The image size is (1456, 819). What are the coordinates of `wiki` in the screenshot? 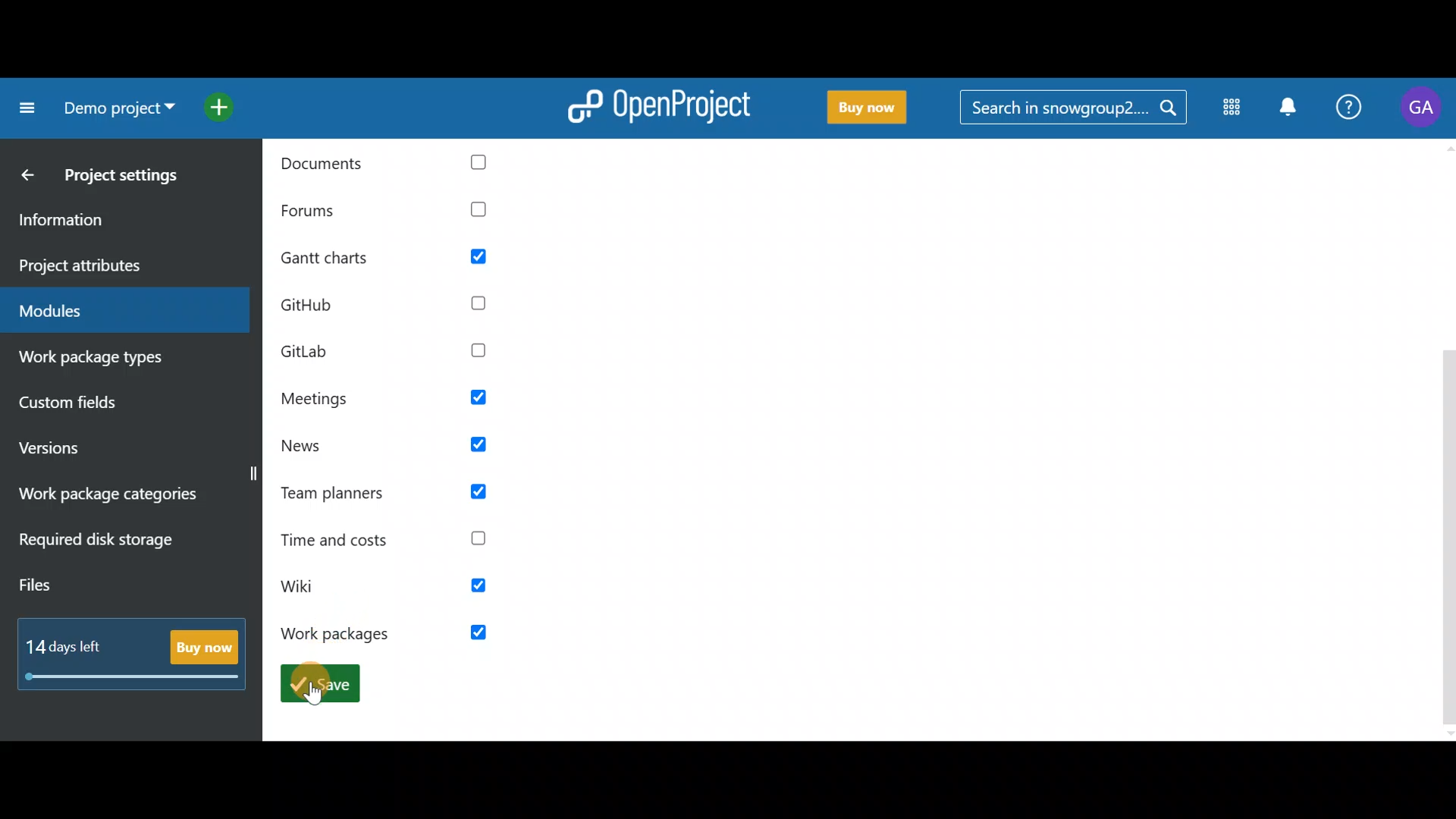 It's located at (394, 588).